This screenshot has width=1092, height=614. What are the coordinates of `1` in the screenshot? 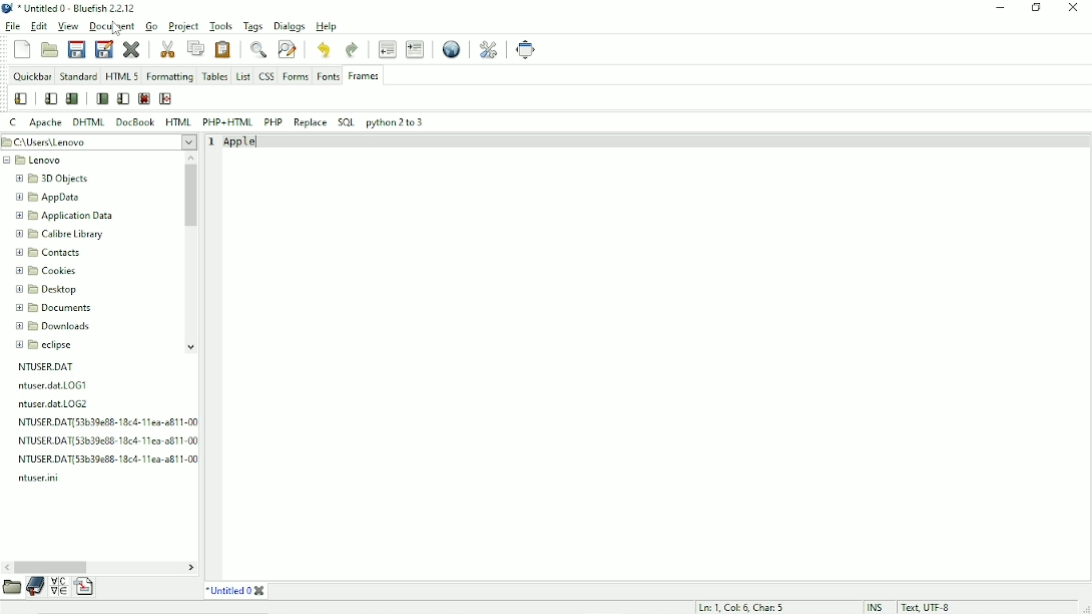 It's located at (210, 141).